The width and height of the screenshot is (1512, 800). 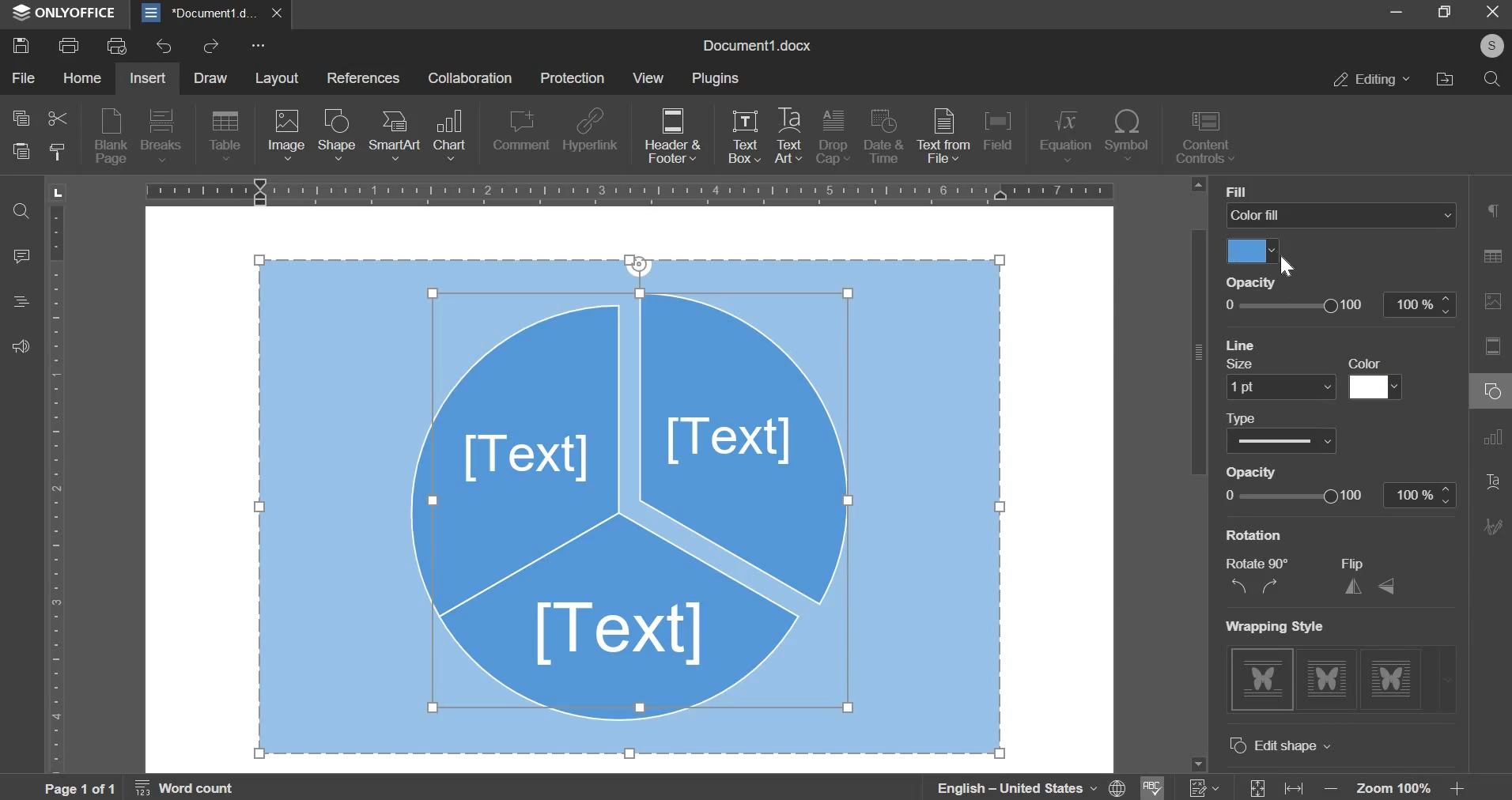 What do you see at coordinates (367, 80) in the screenshot?
I see `references` at bounding box center [367, 80].